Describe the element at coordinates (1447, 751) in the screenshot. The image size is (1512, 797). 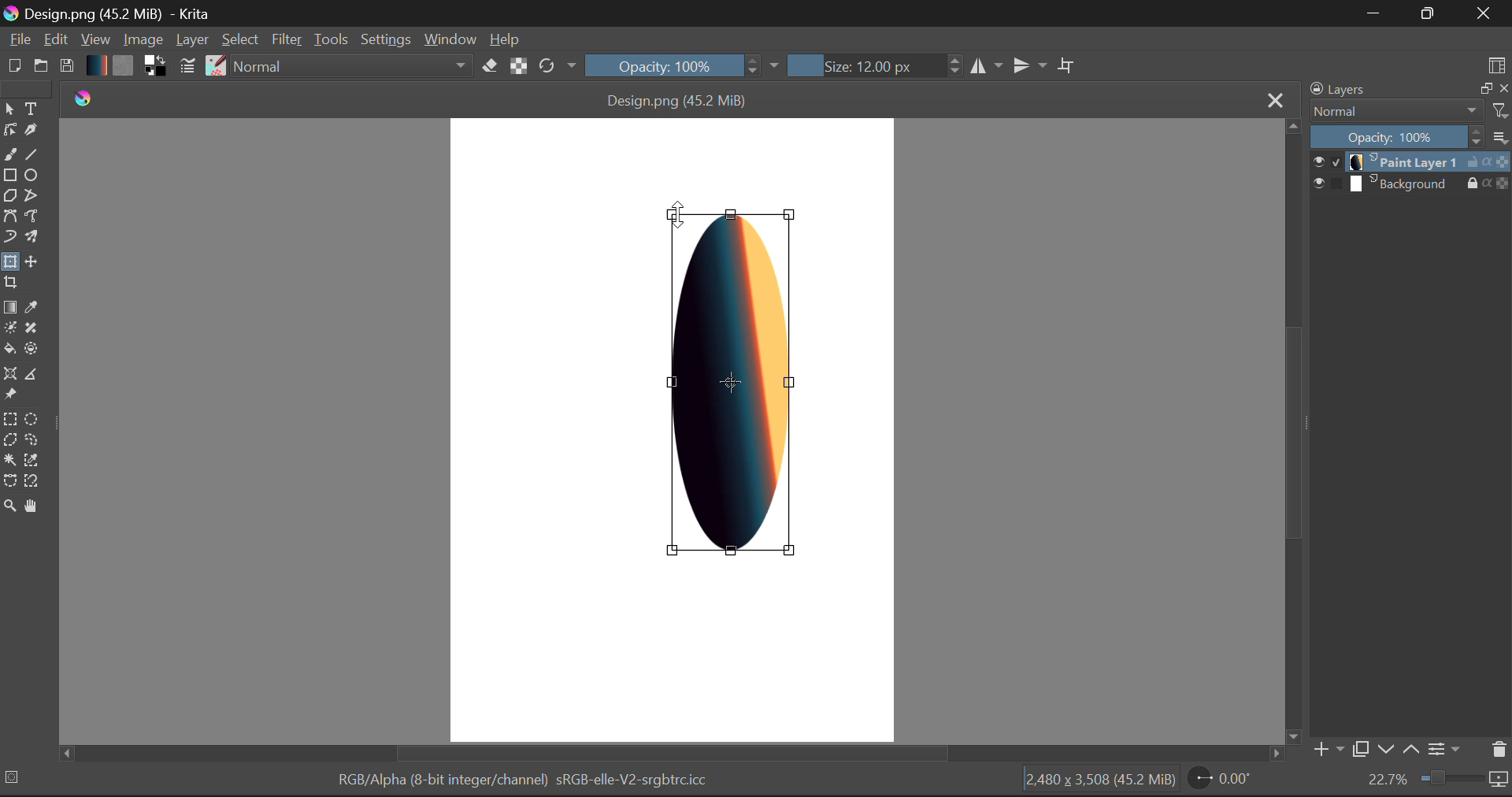
I see `Settings` at that location.